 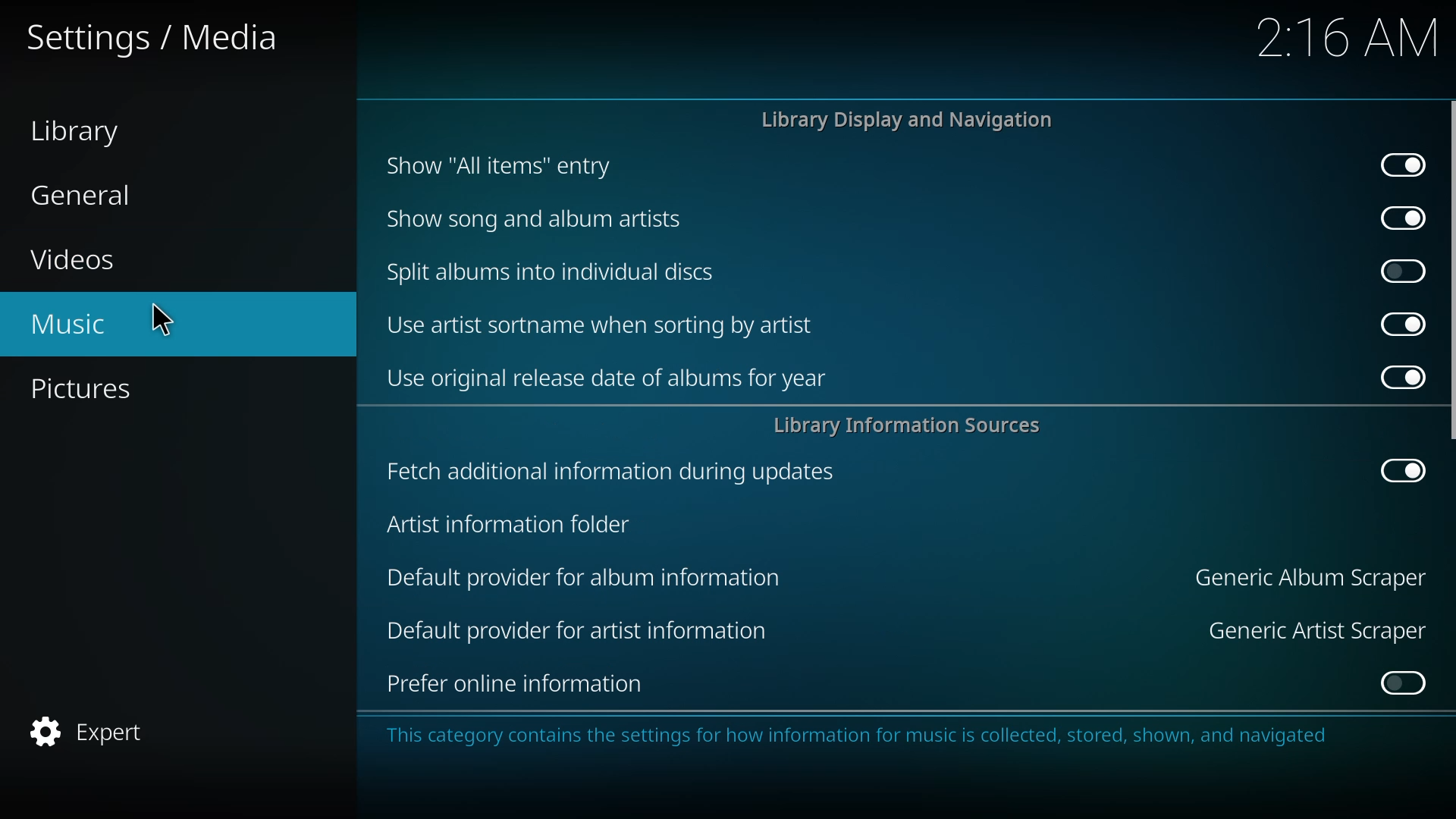 What do you see at coordinates (607, 471) in the screenshot?
I see `fetch additional info during updates` at bounding box center [607, 471].